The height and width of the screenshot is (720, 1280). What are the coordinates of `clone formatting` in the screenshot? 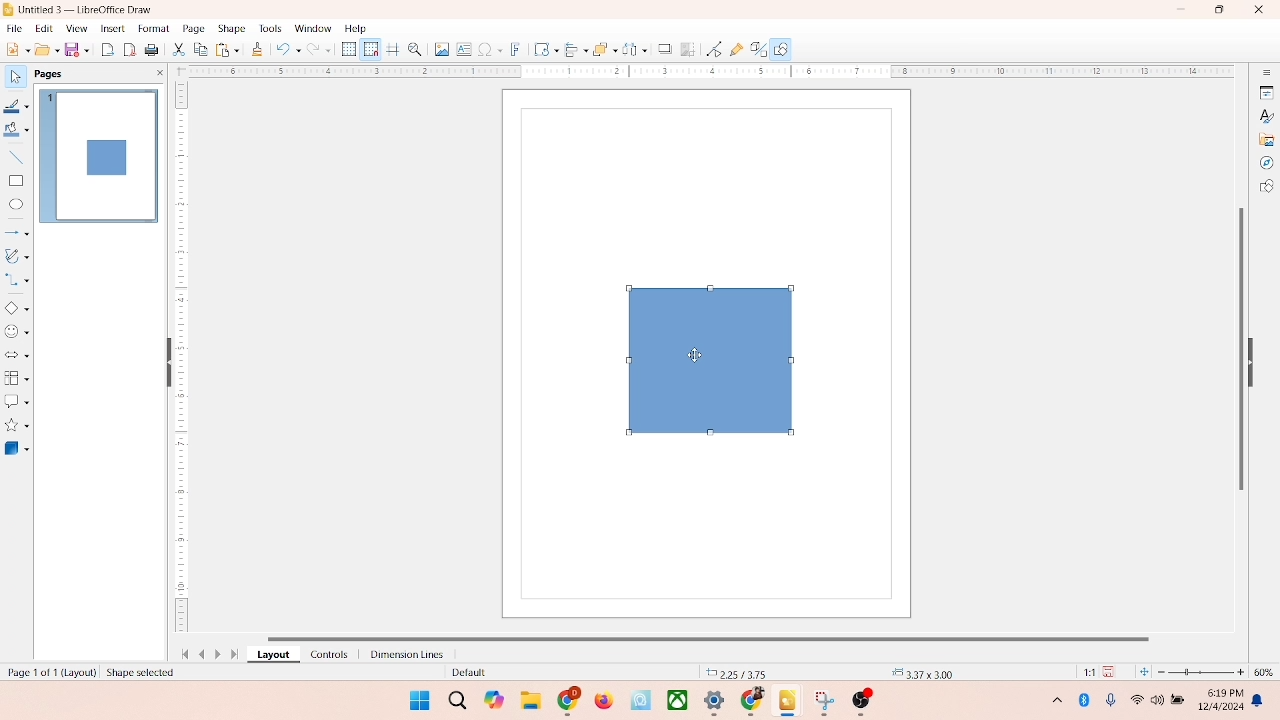 It's located at (256, 49).